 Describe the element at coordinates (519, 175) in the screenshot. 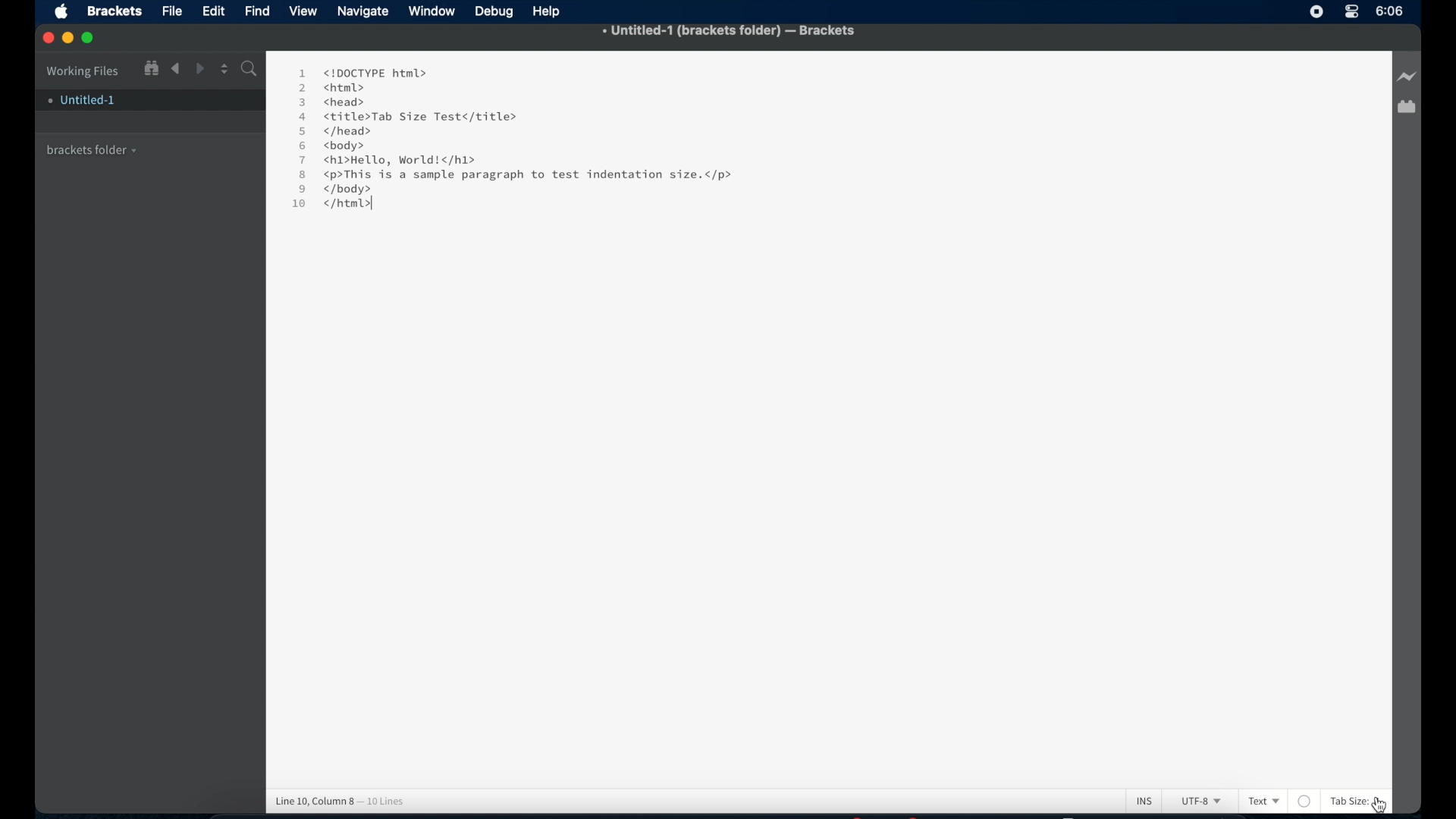

I see `8 <p>This is a sample paragraph to test indentation size.</p>` at that location.